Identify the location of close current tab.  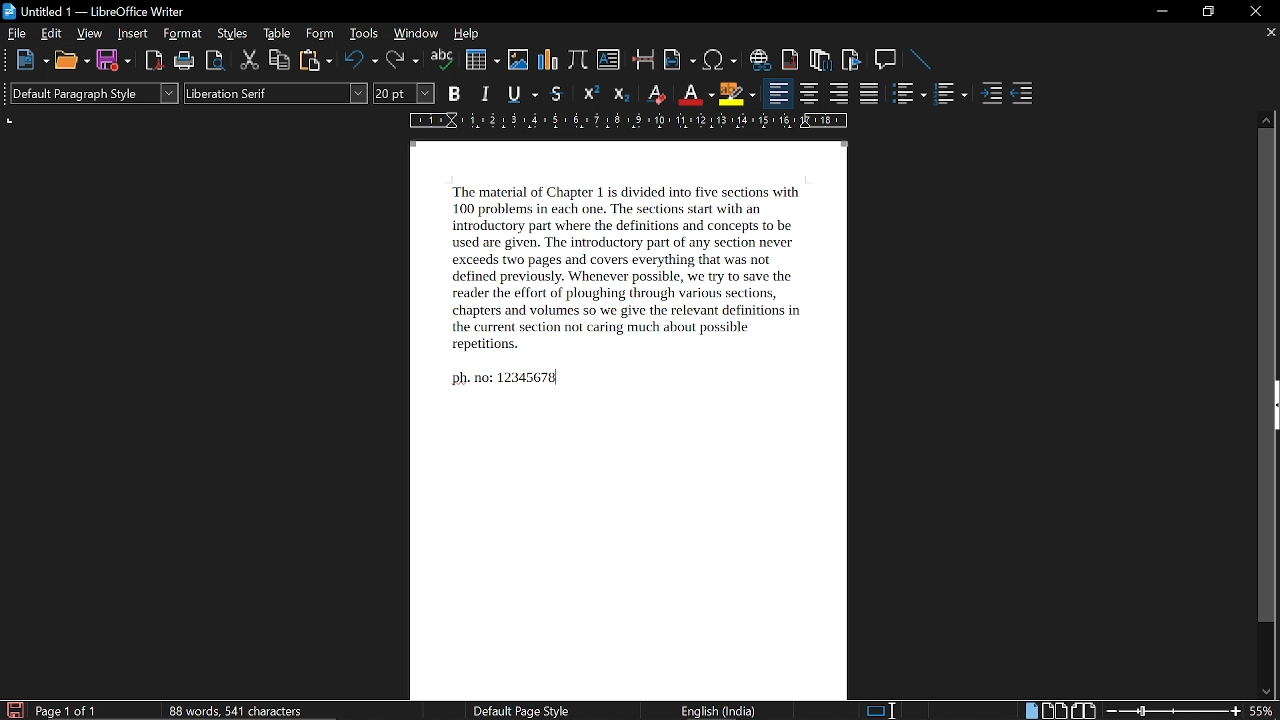
(1270, 33).